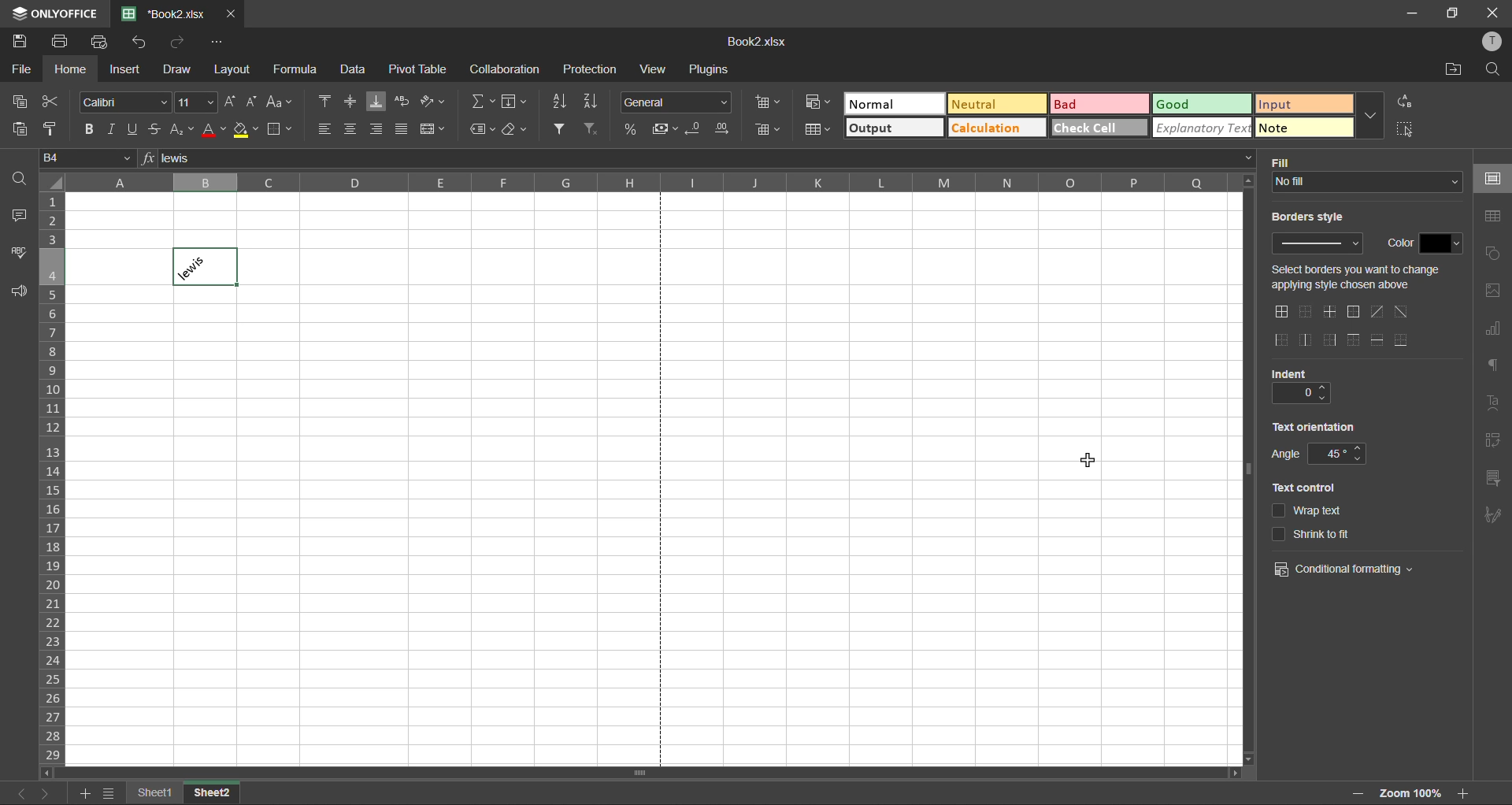  I want to click on filename, so click(164, 14).